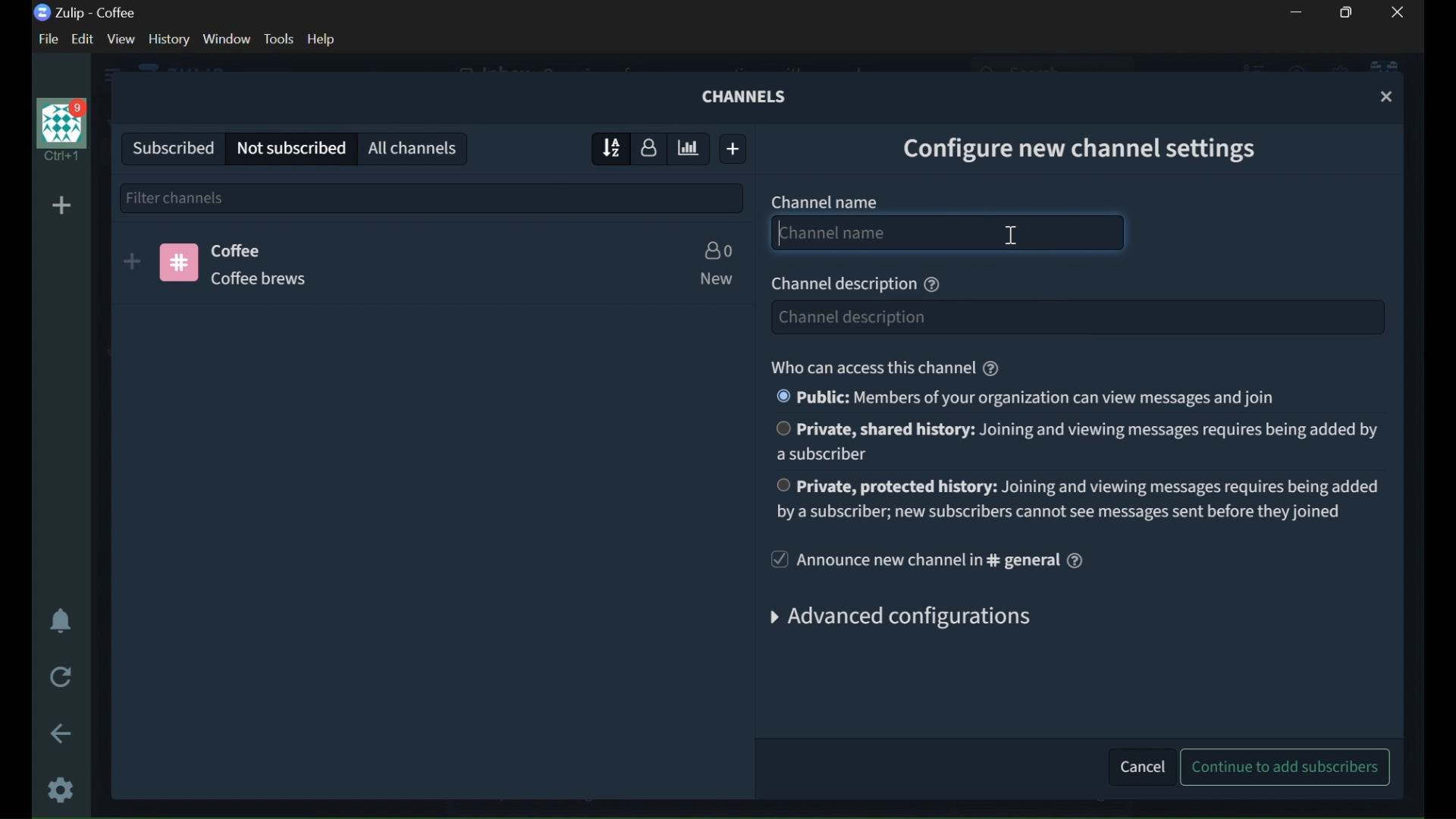 This screenshot has height=819, width=1456. What do you see at coordinates (1137, 764) in the screenshot?
I see `CANCEL` at bounding box center [1137, 764].